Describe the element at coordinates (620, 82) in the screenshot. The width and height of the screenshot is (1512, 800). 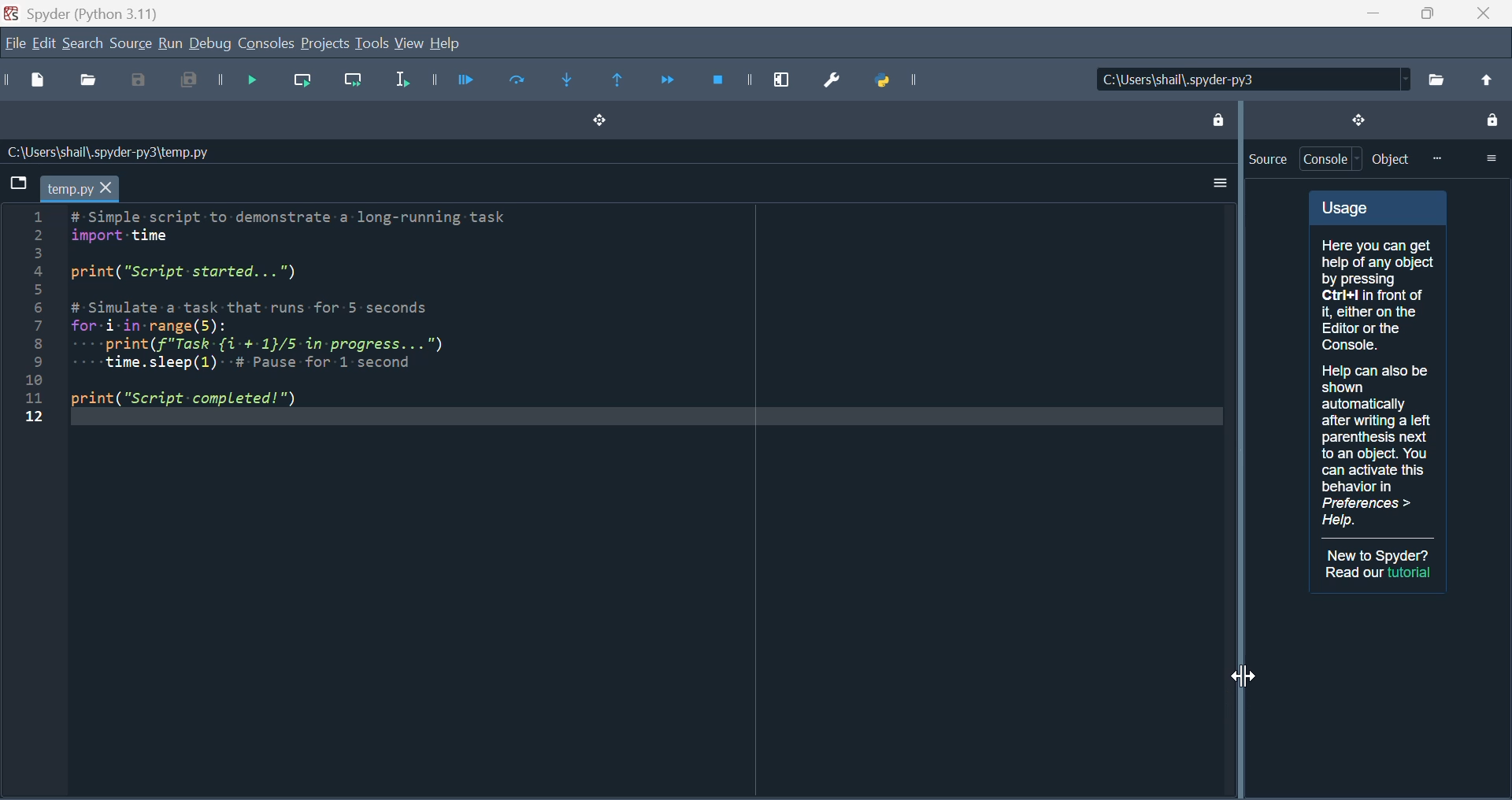
I see `Execute until same function returns` at that location.